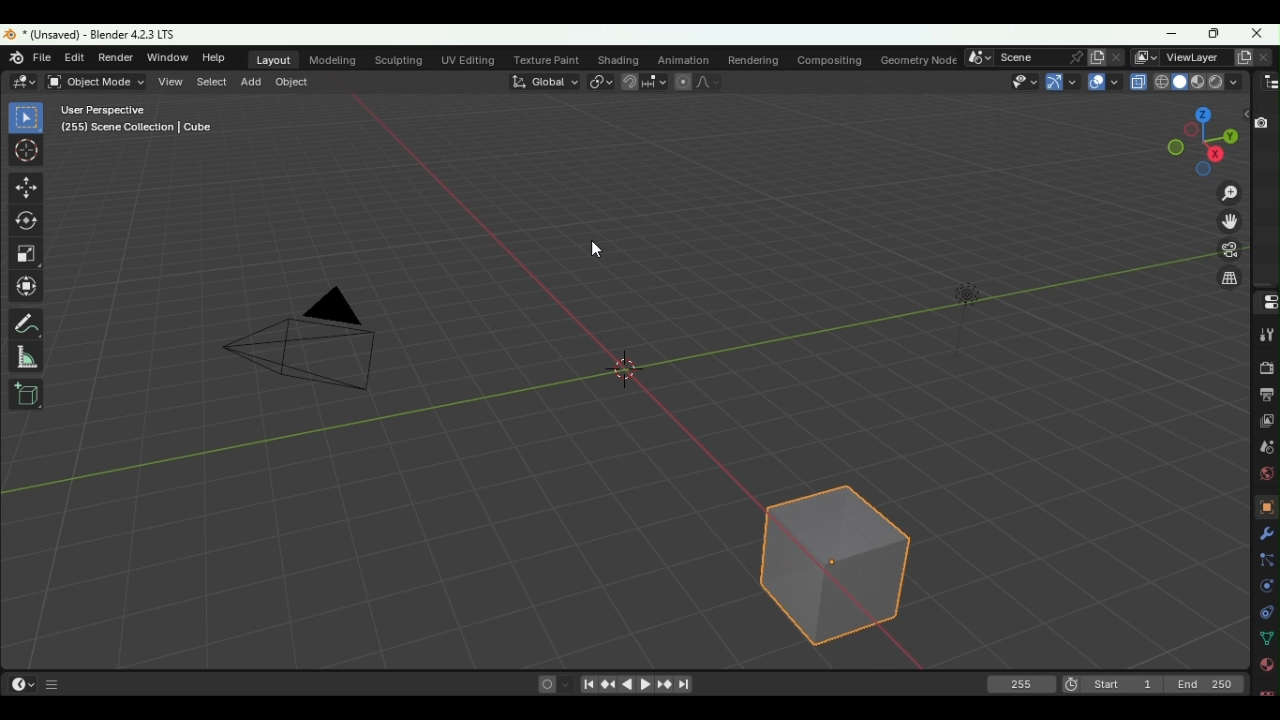 This screenshot has height=720, width=1280. I want to click on Jump to previous/next frame, so click(610, 686).